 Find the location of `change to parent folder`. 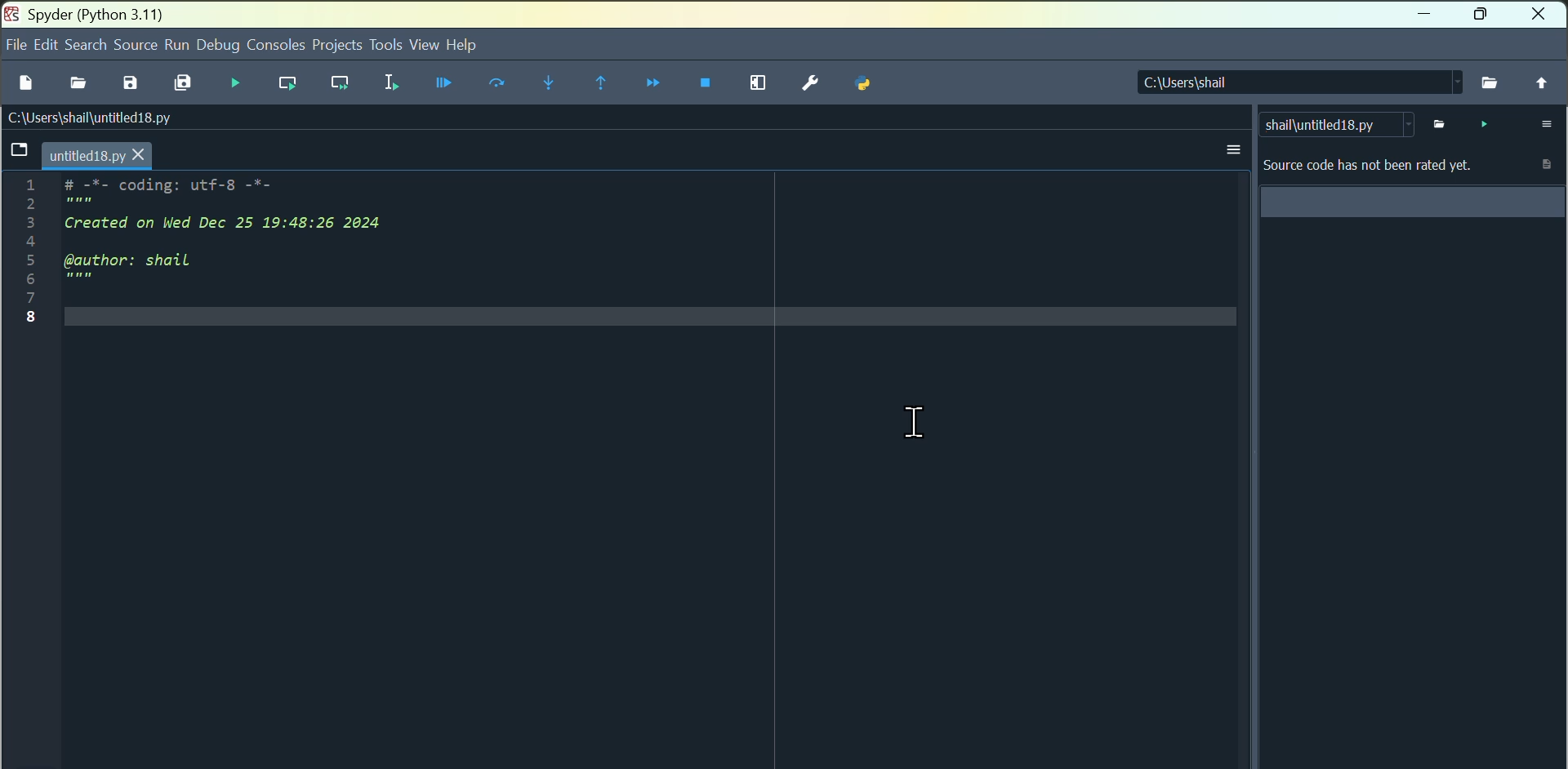

change to parent folder is located at coordinates (1539, 82).